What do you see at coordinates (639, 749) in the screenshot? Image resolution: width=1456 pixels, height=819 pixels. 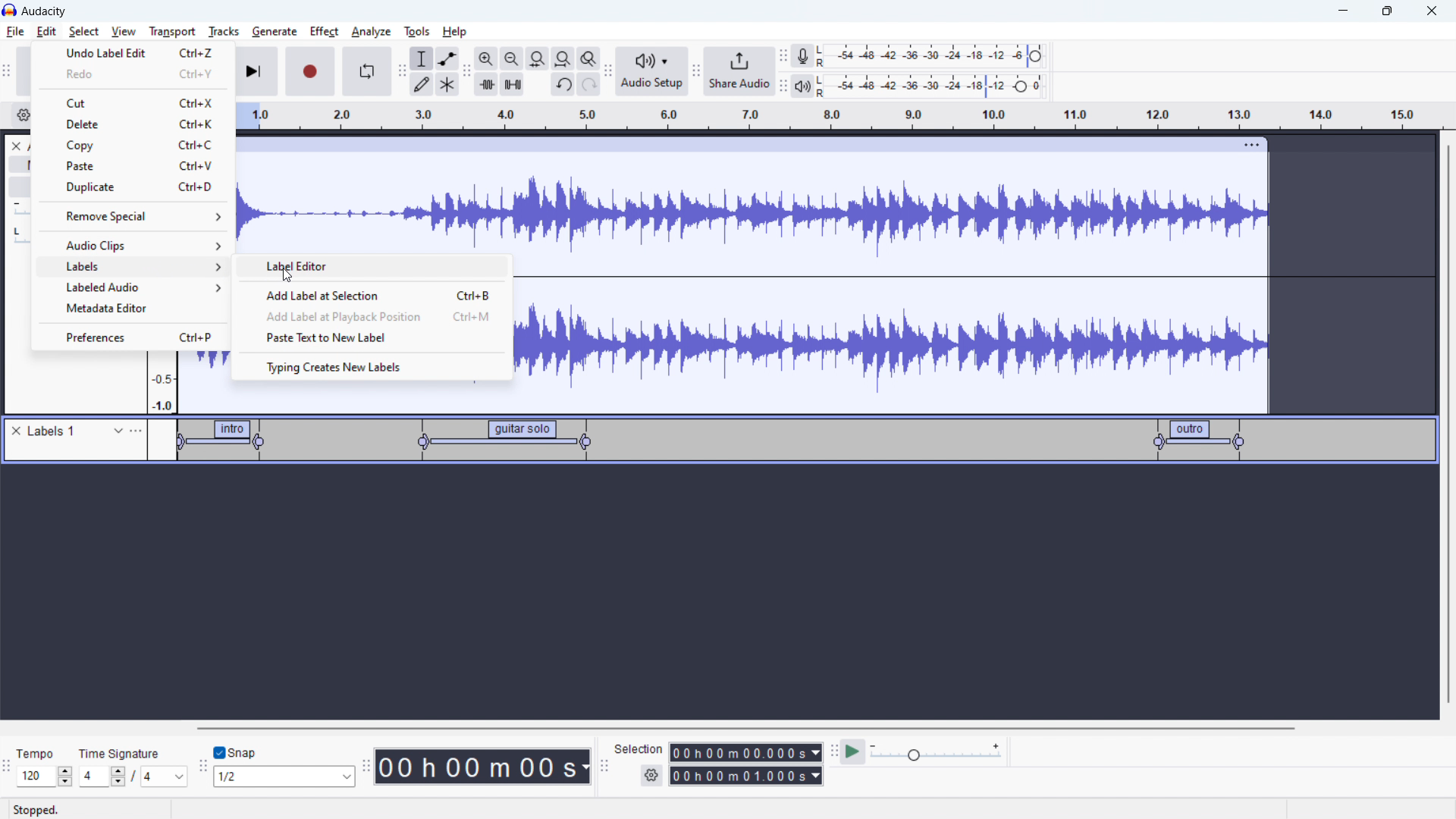 I see `selection` at bounding box center [639, 749].